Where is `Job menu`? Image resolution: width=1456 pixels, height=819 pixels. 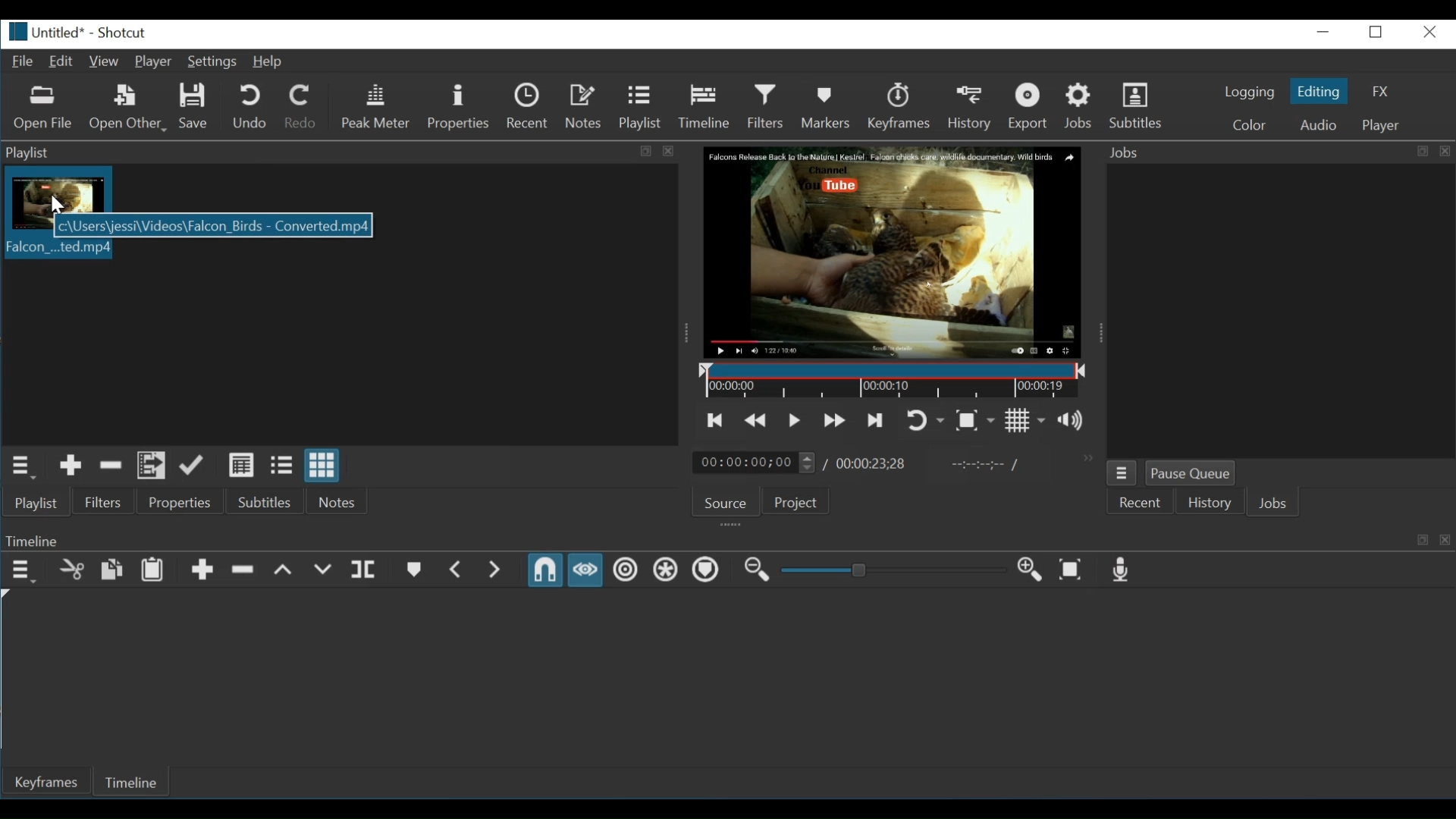
Job menu is located at coordinates (1122, 474).